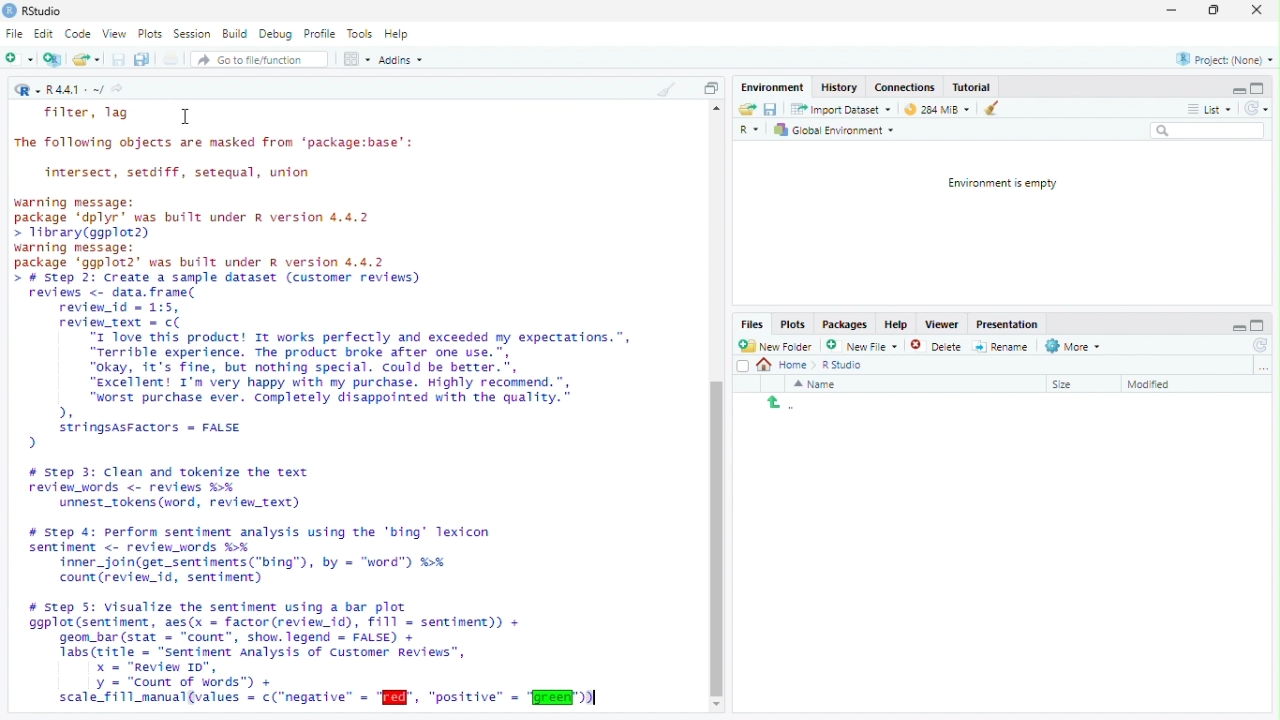 This screenshot has height=720, width=1280. What do you see at coordinates (1264, 367) in the screenshot?
I see `Browse` at bounding box center [1264, 367].